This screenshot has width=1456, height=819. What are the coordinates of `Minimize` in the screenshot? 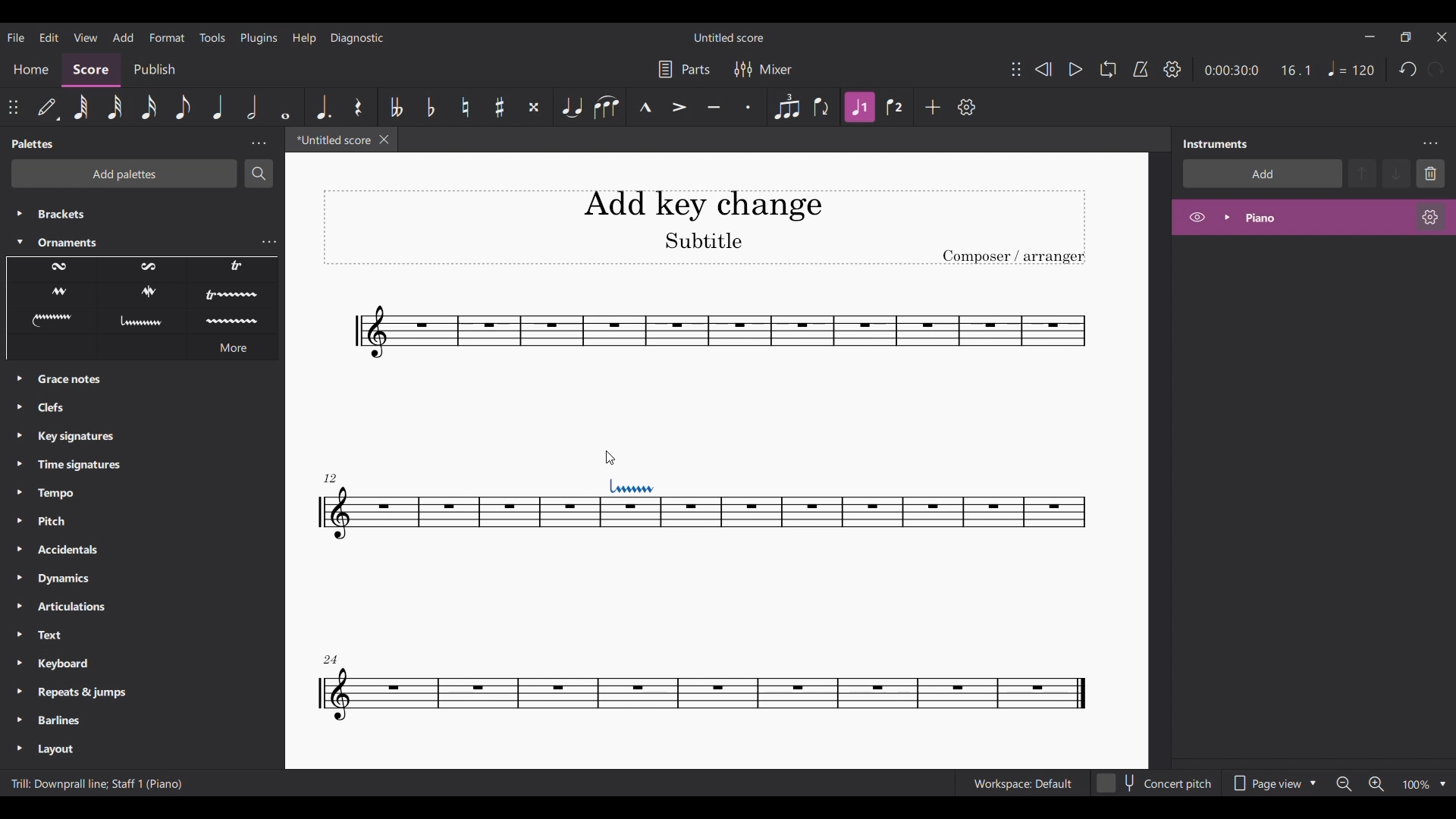 It's located at (1370, 36).